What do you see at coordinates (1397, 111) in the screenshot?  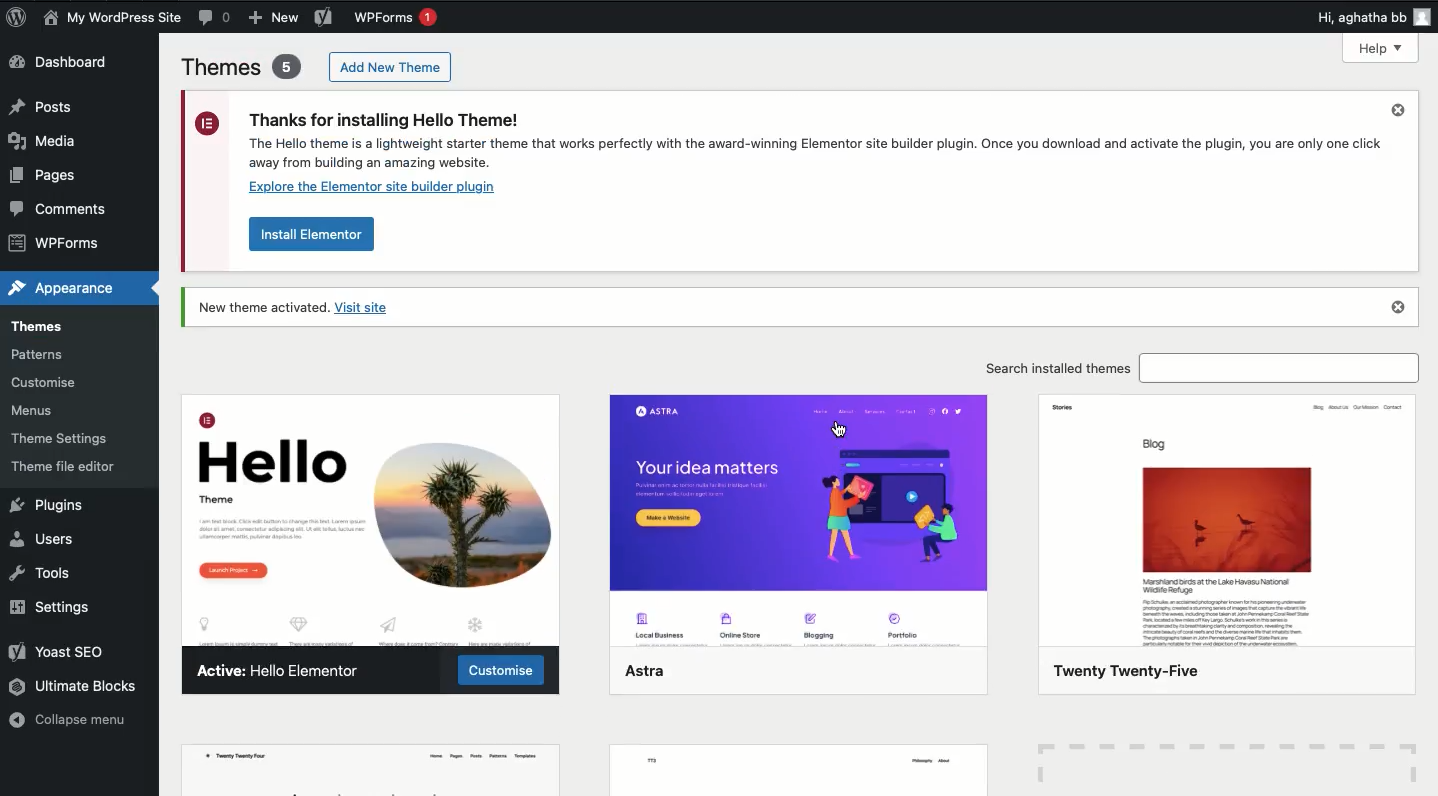 I see `Close` at bounding box center [1397, 111].